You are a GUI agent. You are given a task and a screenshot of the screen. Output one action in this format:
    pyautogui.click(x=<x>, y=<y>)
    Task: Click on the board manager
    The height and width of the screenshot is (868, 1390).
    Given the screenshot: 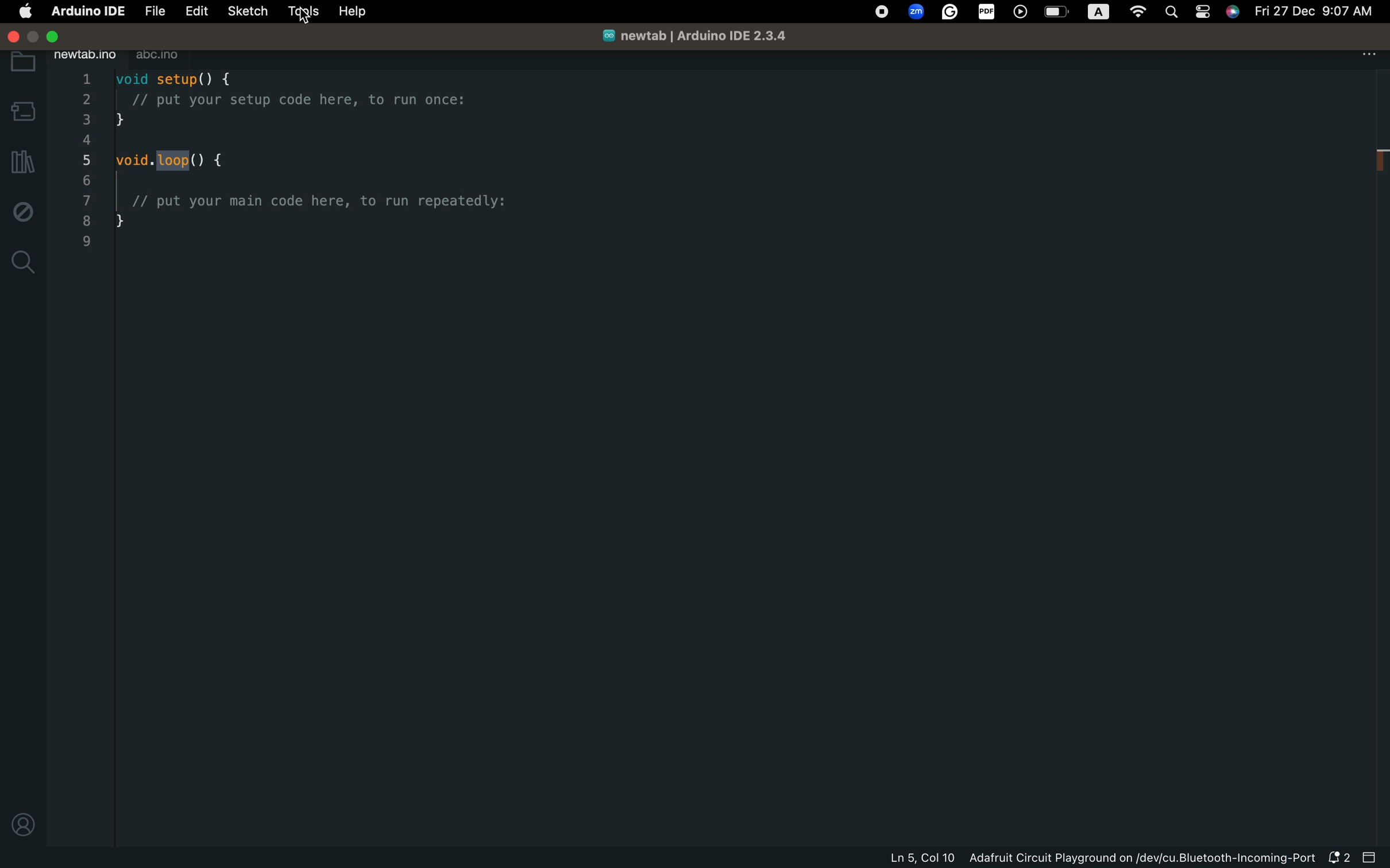 What is the action you would take?
    pyautogui.click(x=22, y=111)
    